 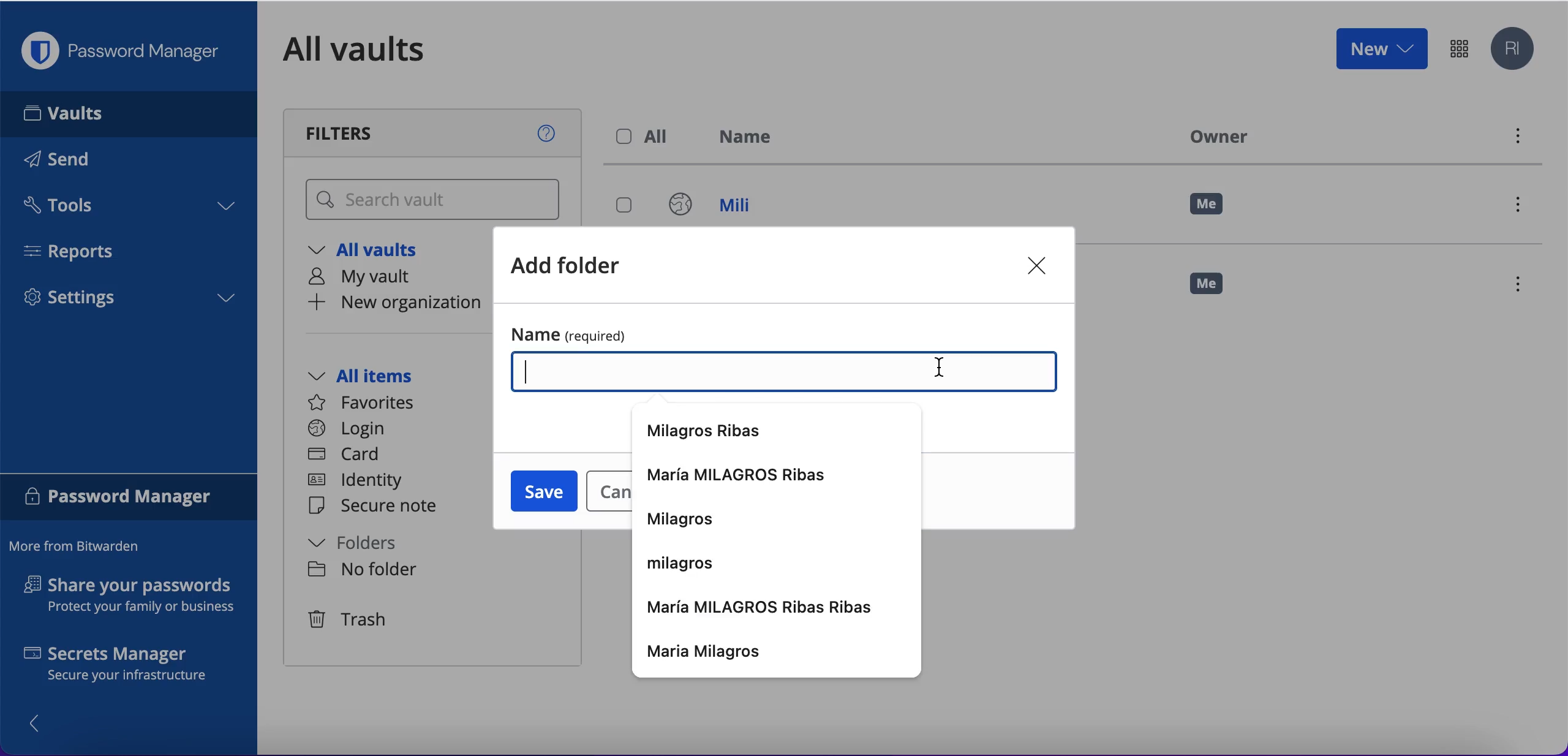 What do you see at coordinates (394, 303) in the screenshot?
I see `new organization` at bounding box center [394, 303].